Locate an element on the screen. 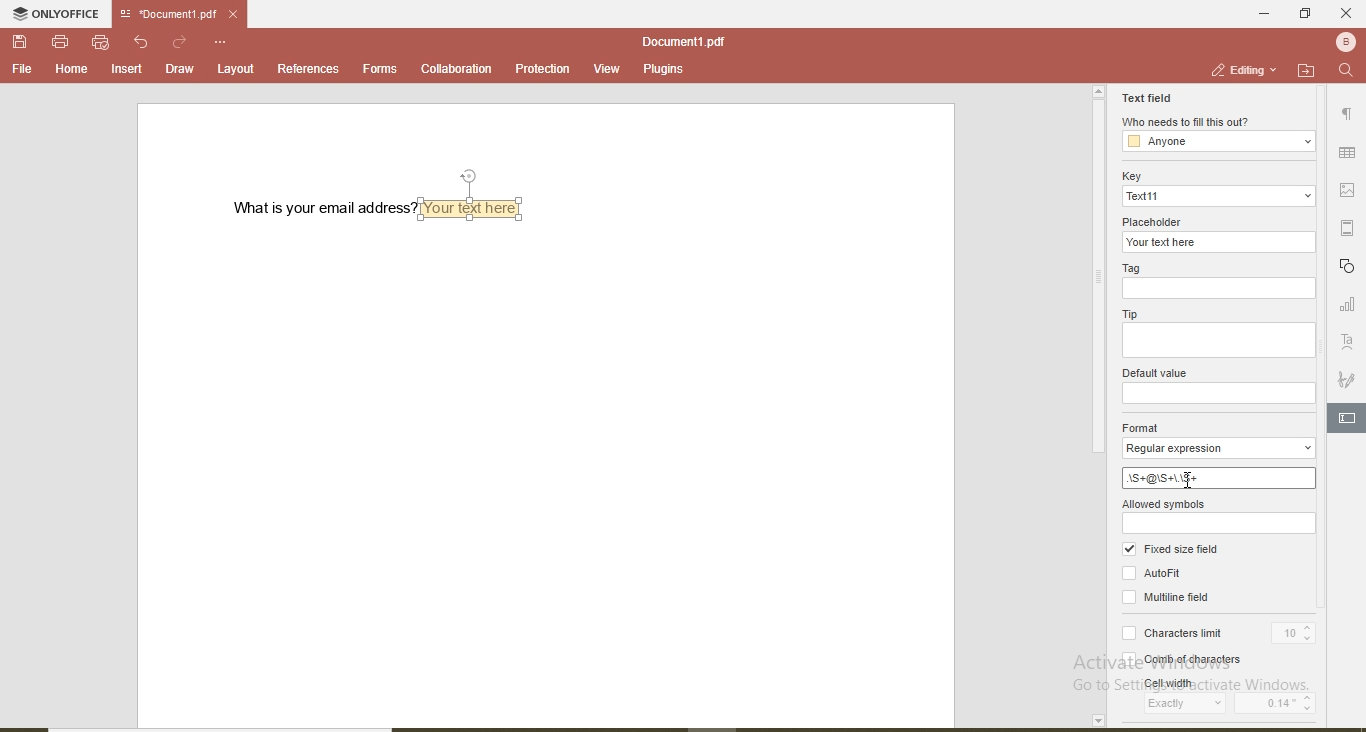  vertical scroll bar is located at coordinates (1096, 280).